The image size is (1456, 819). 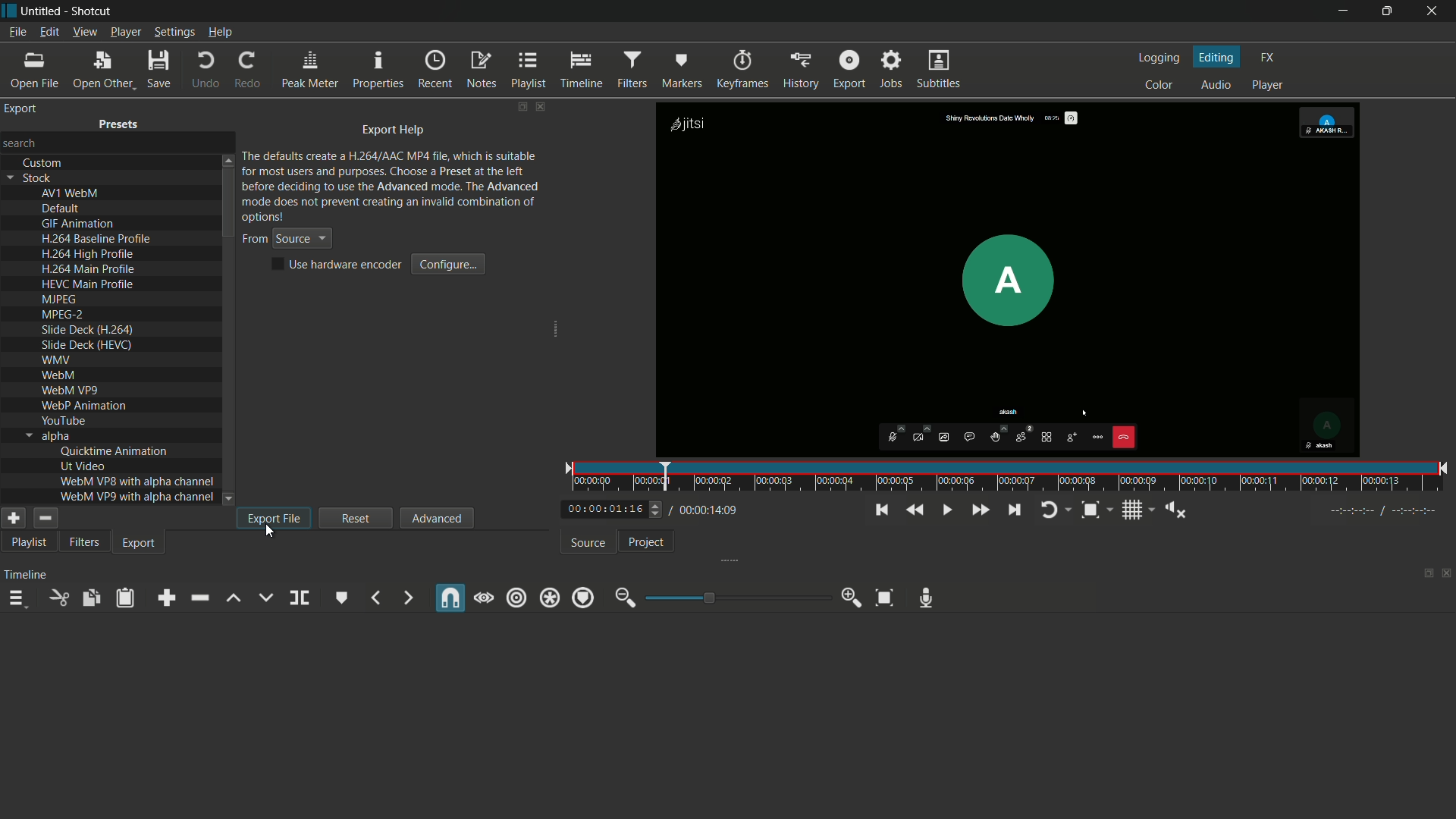 I want to click on timeline, so click(x=580, y=71).